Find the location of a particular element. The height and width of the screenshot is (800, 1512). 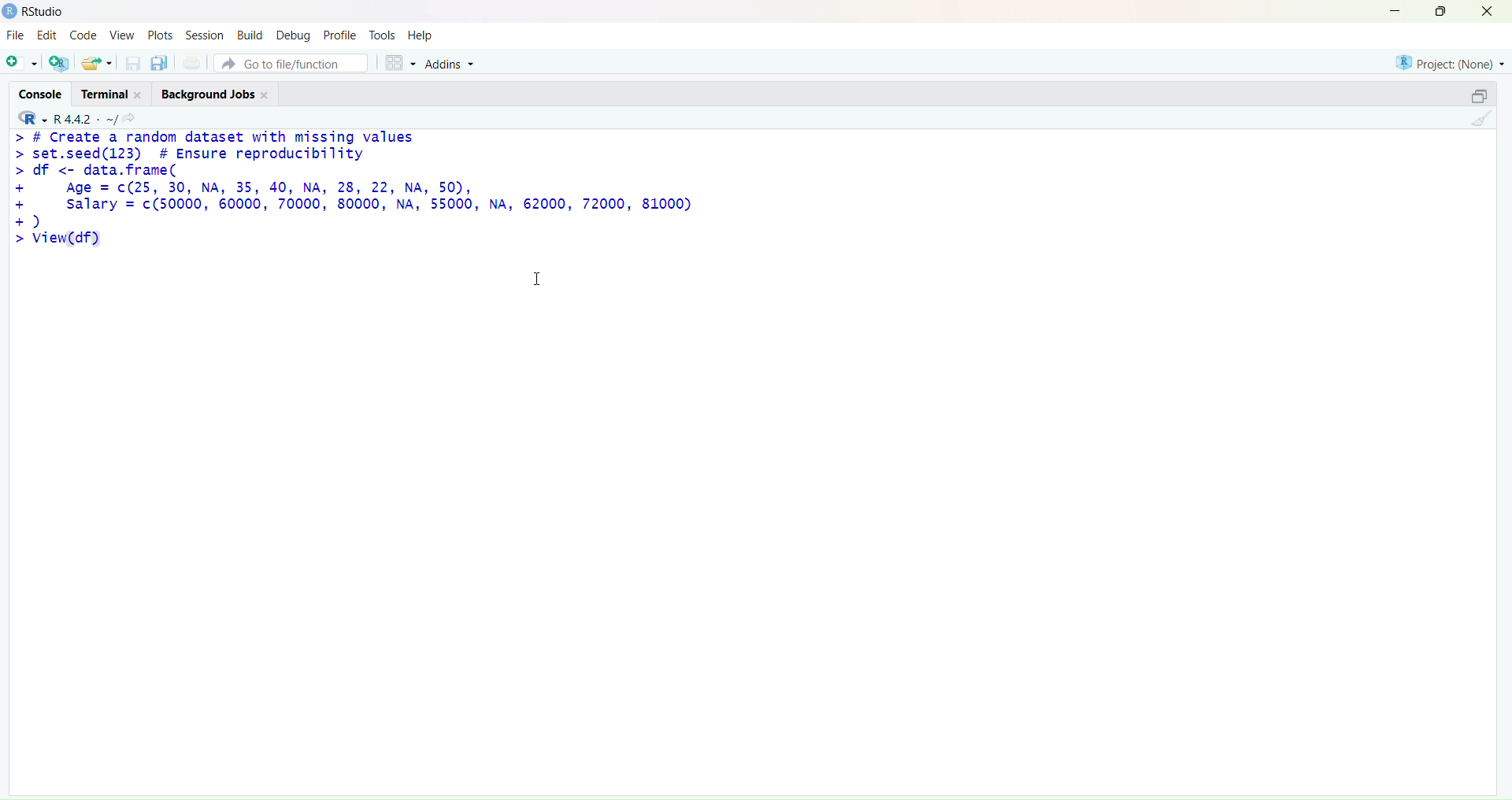

save current documet is located at coordinates (132, 64).